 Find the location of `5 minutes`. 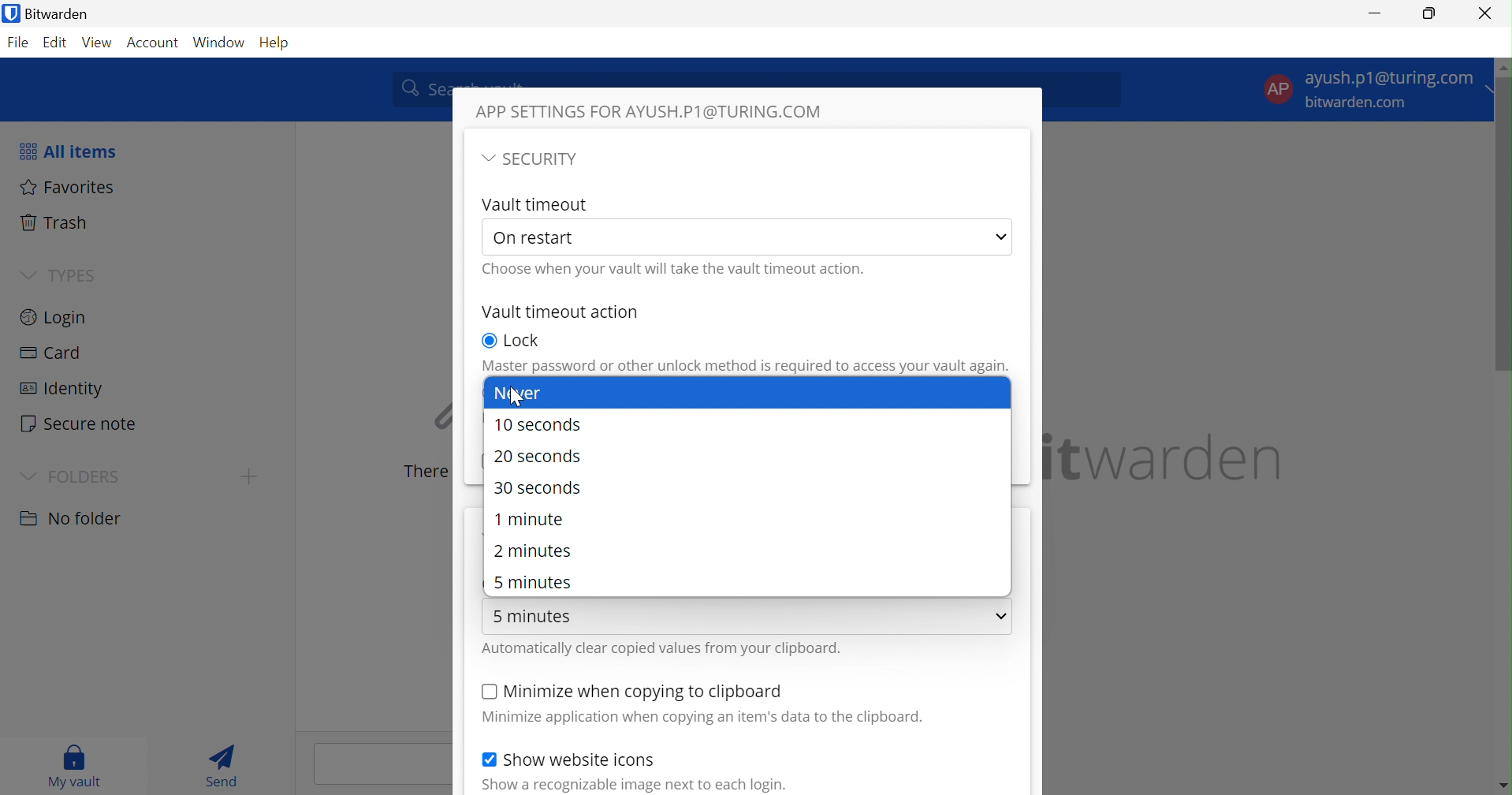

5 minutes is located at coordinates (531, 583).